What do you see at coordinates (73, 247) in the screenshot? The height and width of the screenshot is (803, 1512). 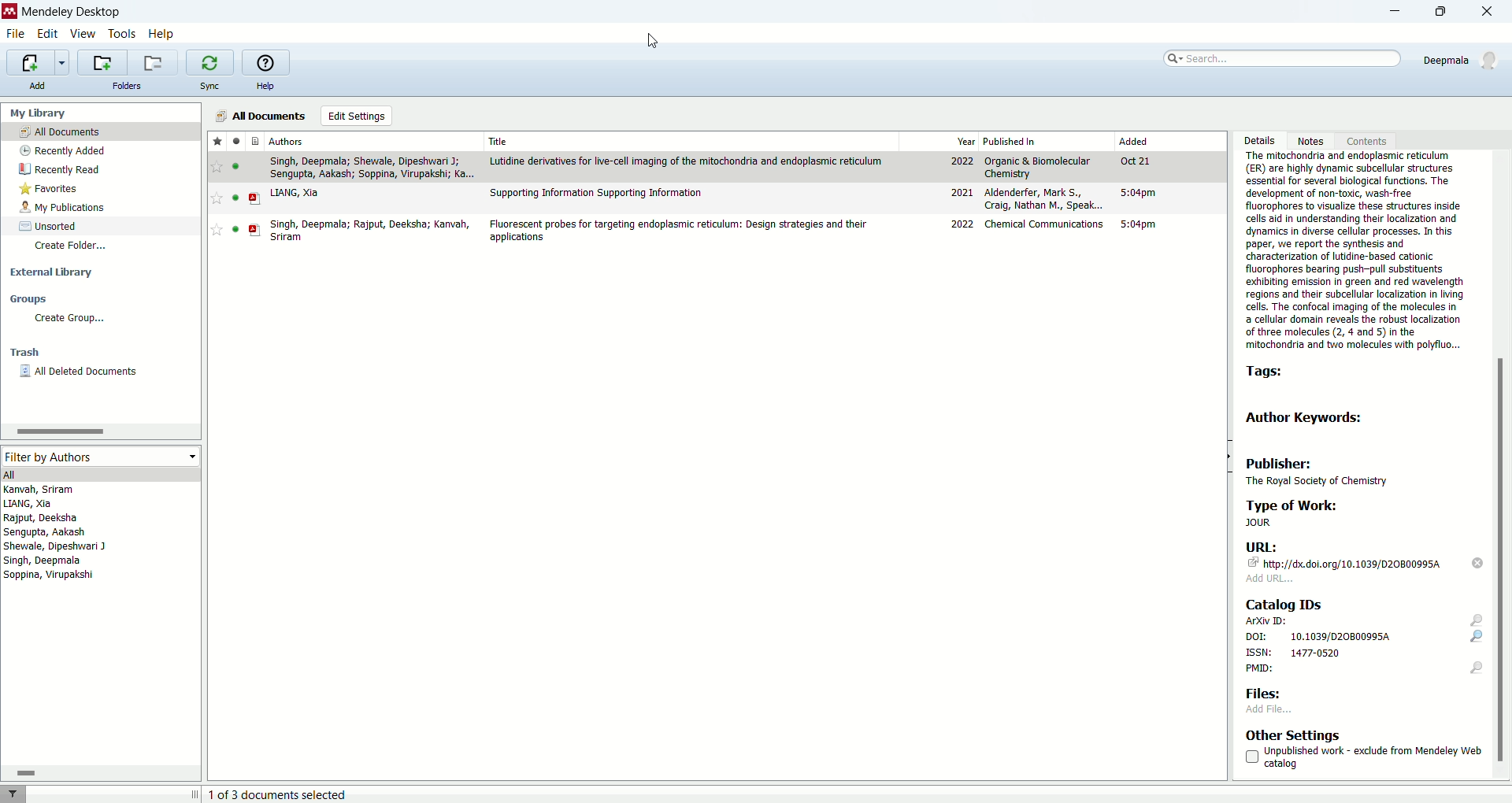 I see `create folder` at bounding box center [73, 247].